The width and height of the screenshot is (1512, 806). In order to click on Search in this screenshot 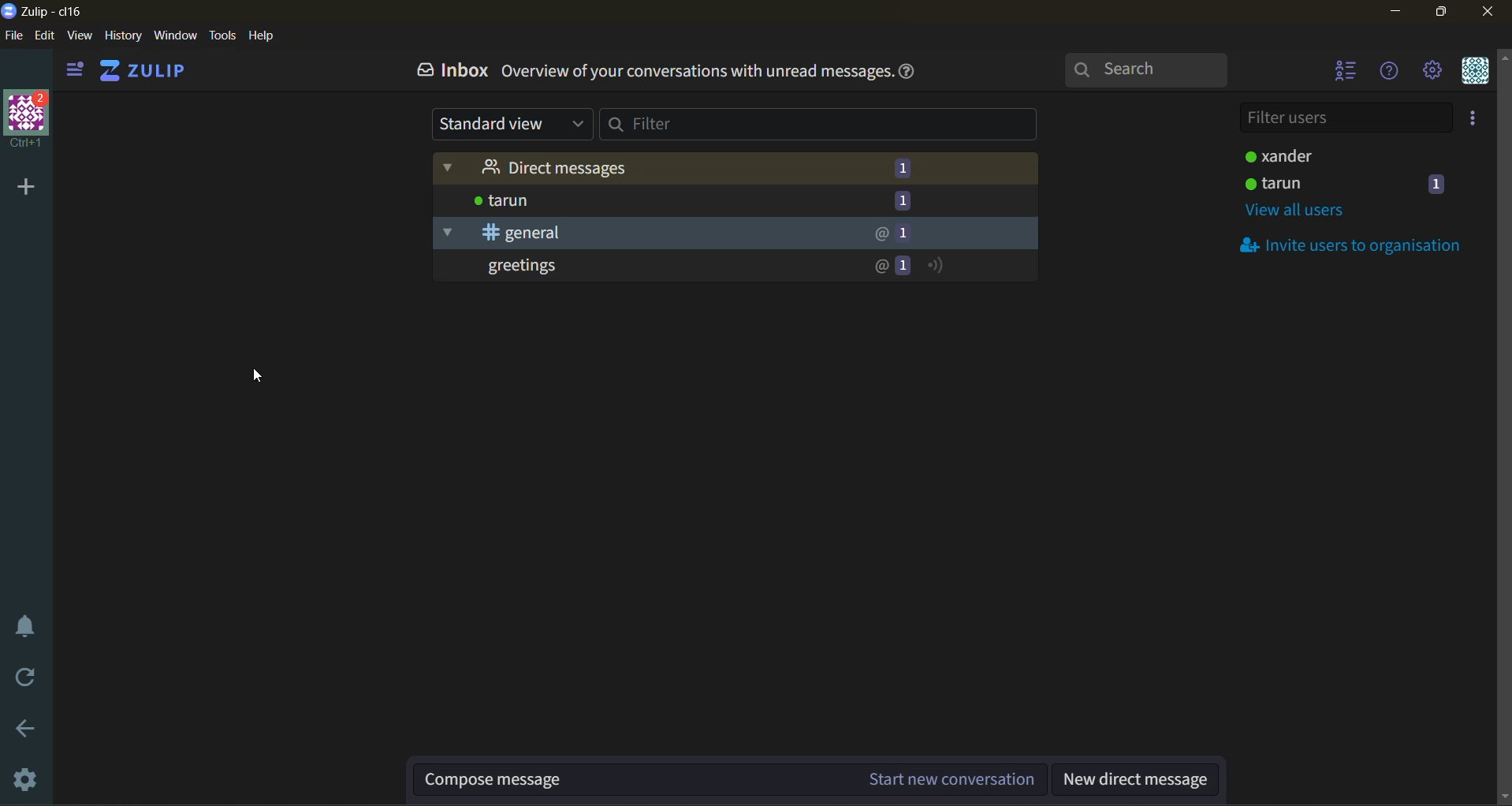, I will do `click(1145, 69)`.